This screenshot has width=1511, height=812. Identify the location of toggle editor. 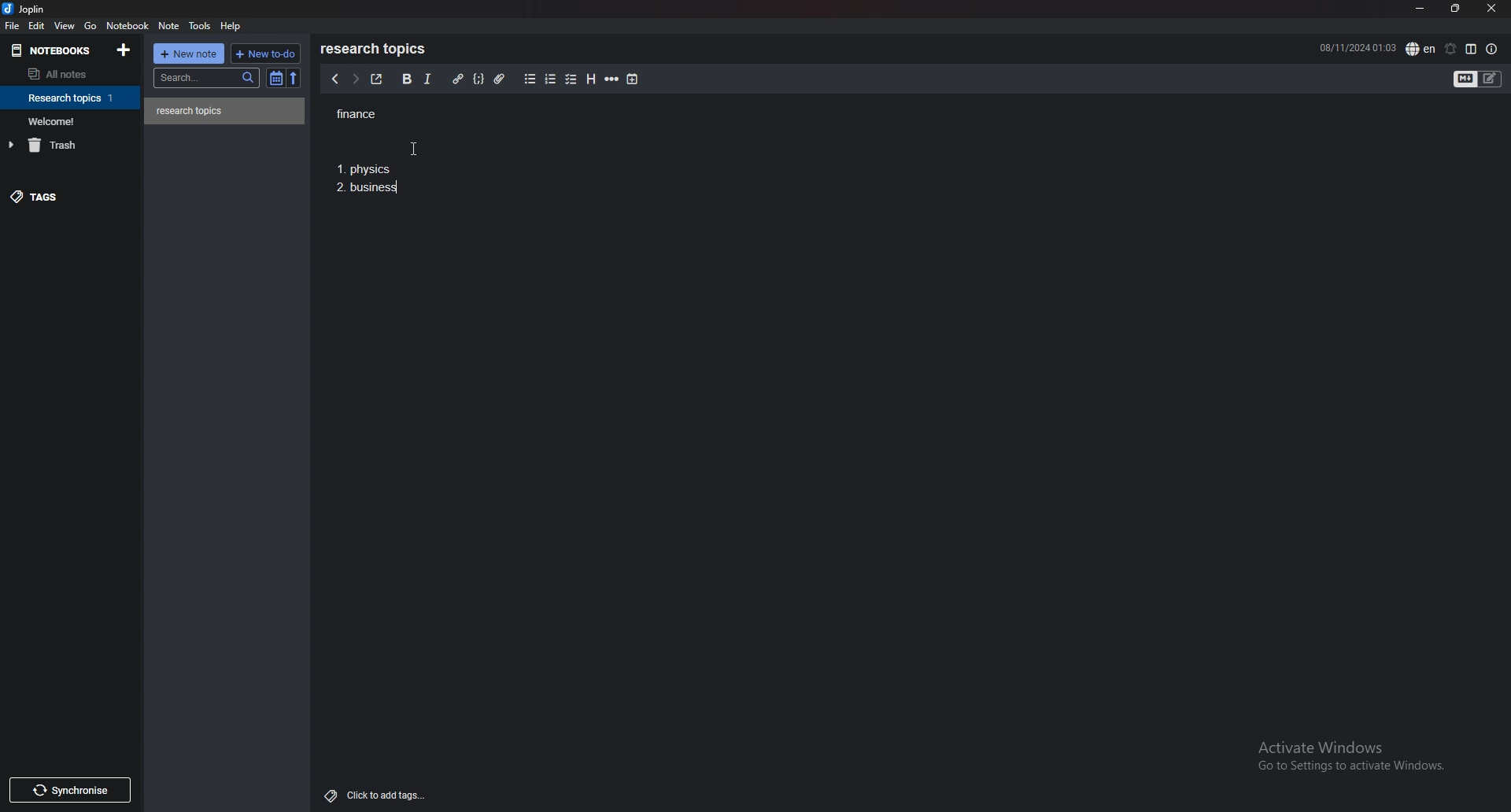
(1479, 79).